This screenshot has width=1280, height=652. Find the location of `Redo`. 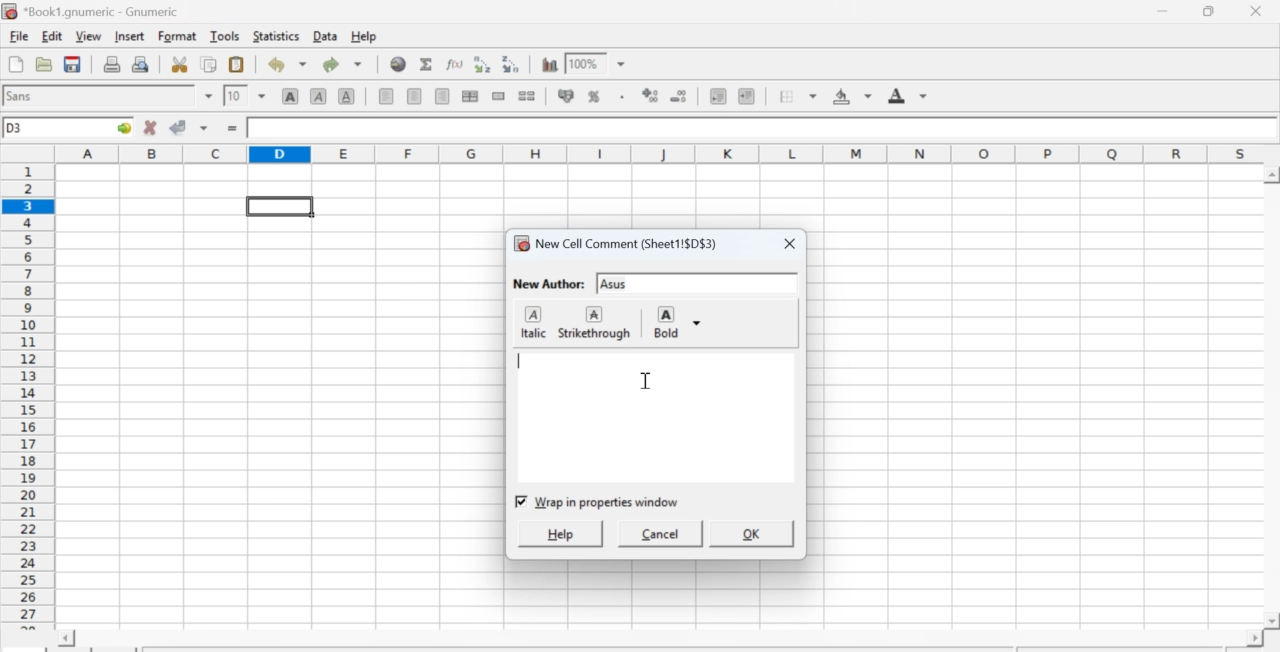

Redo is located at coordinates (346, 64).